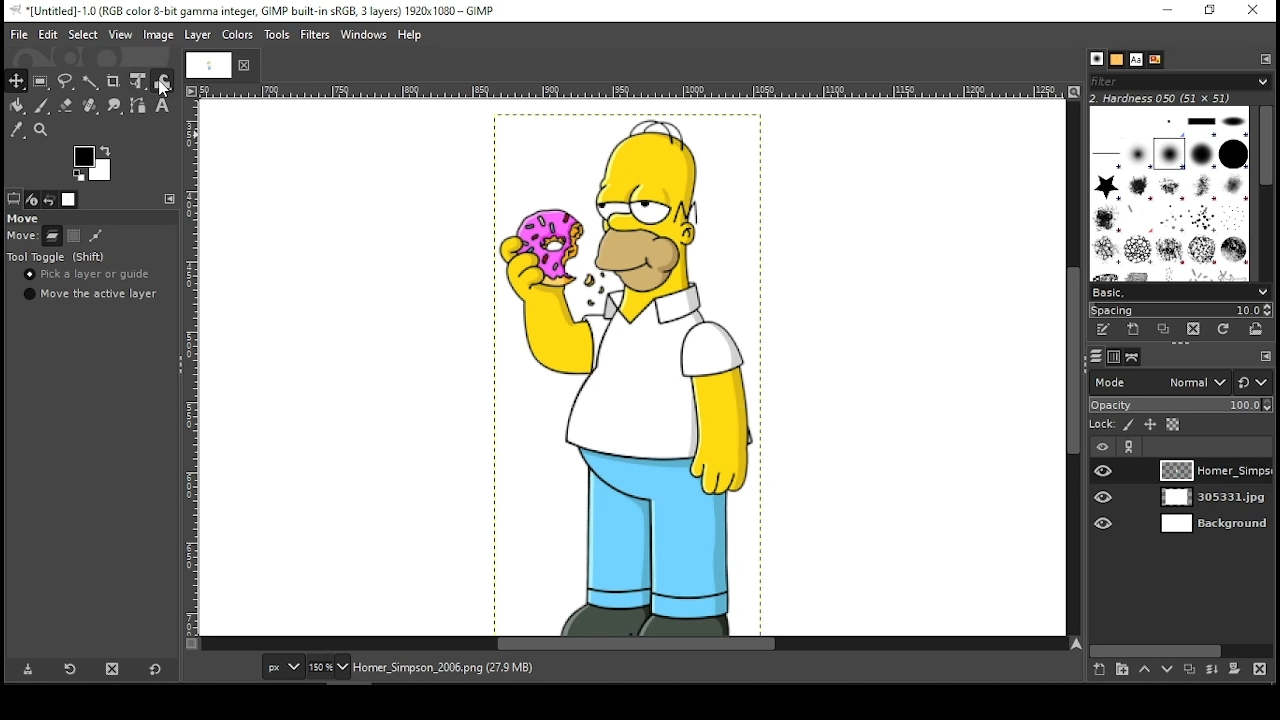  Describe the element at coordinates (1150, 424) in the screenshot. I see `lock position and size` at that location.